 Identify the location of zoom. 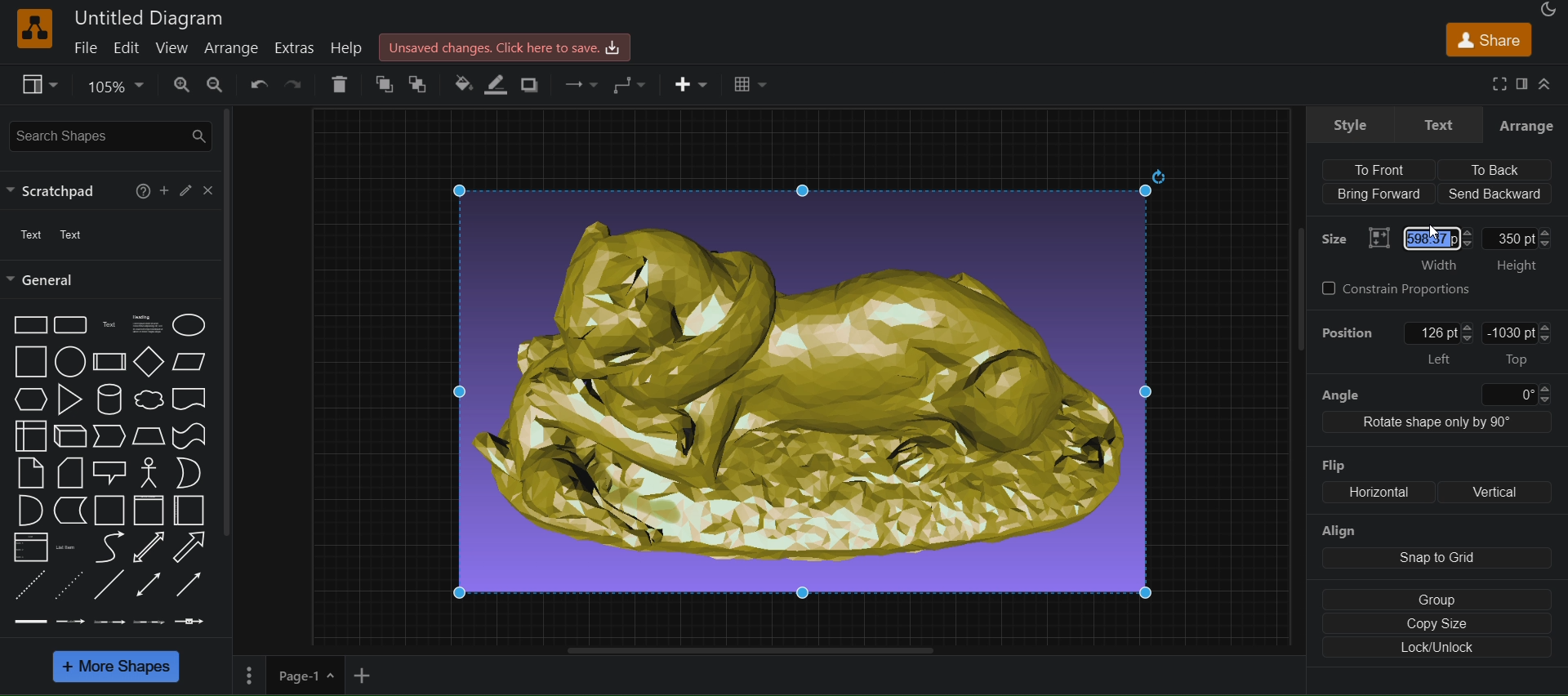
(111, 87).